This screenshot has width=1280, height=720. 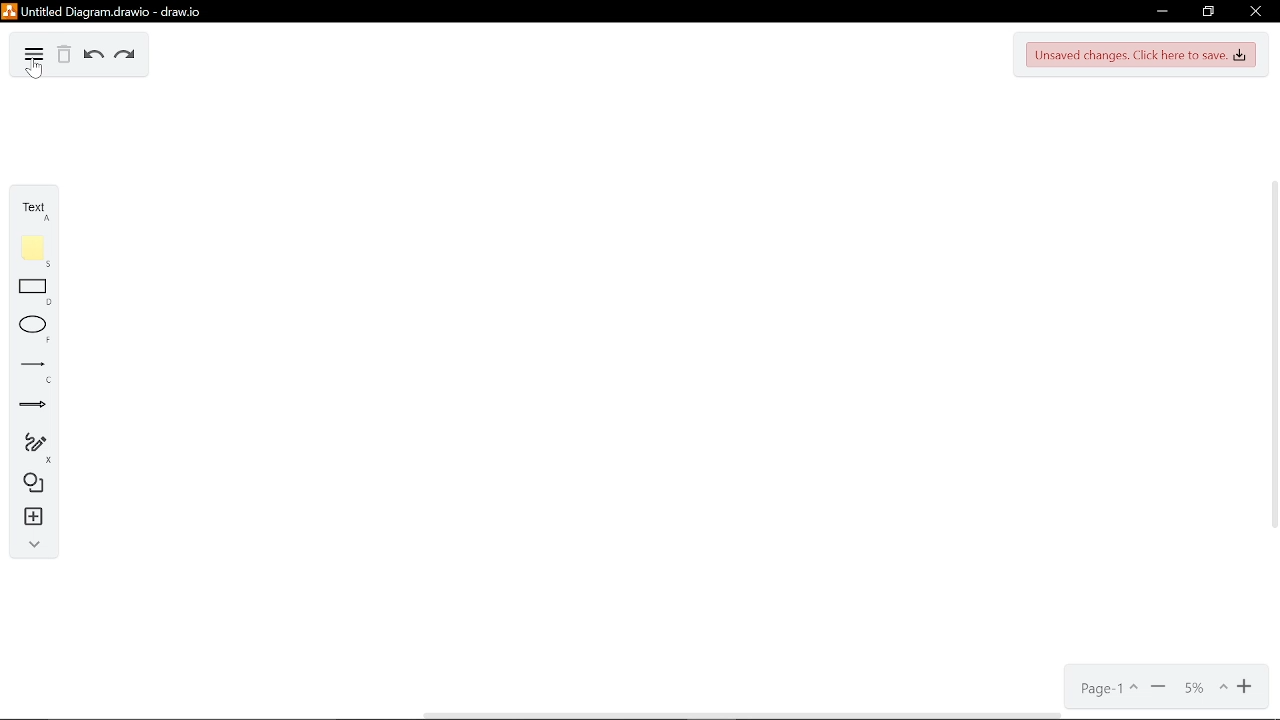 I want to click on Zoom in, so click(x=1242, y=685).